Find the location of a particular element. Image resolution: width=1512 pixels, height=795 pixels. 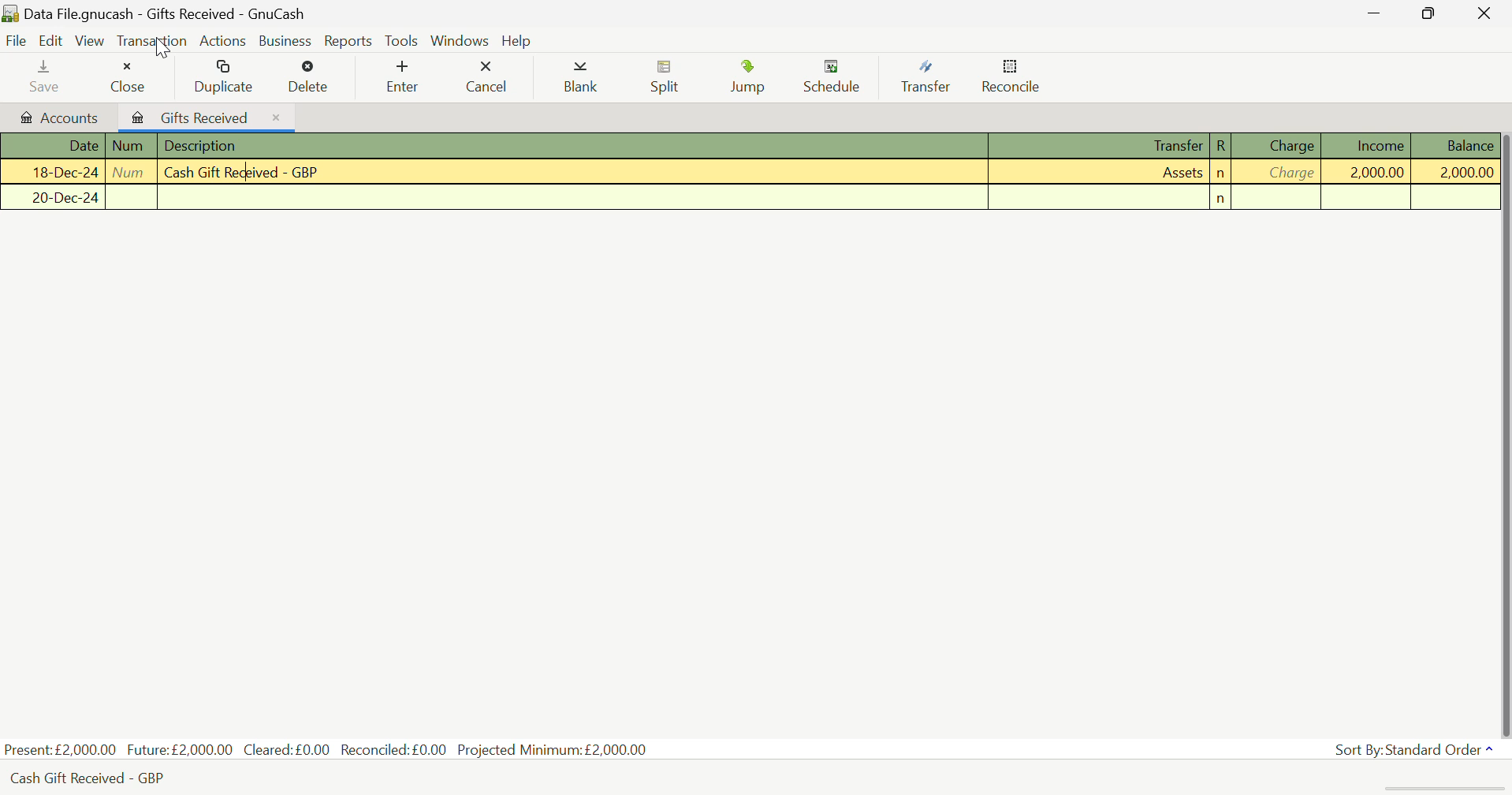

Income is located at coordinates (1369, 172).